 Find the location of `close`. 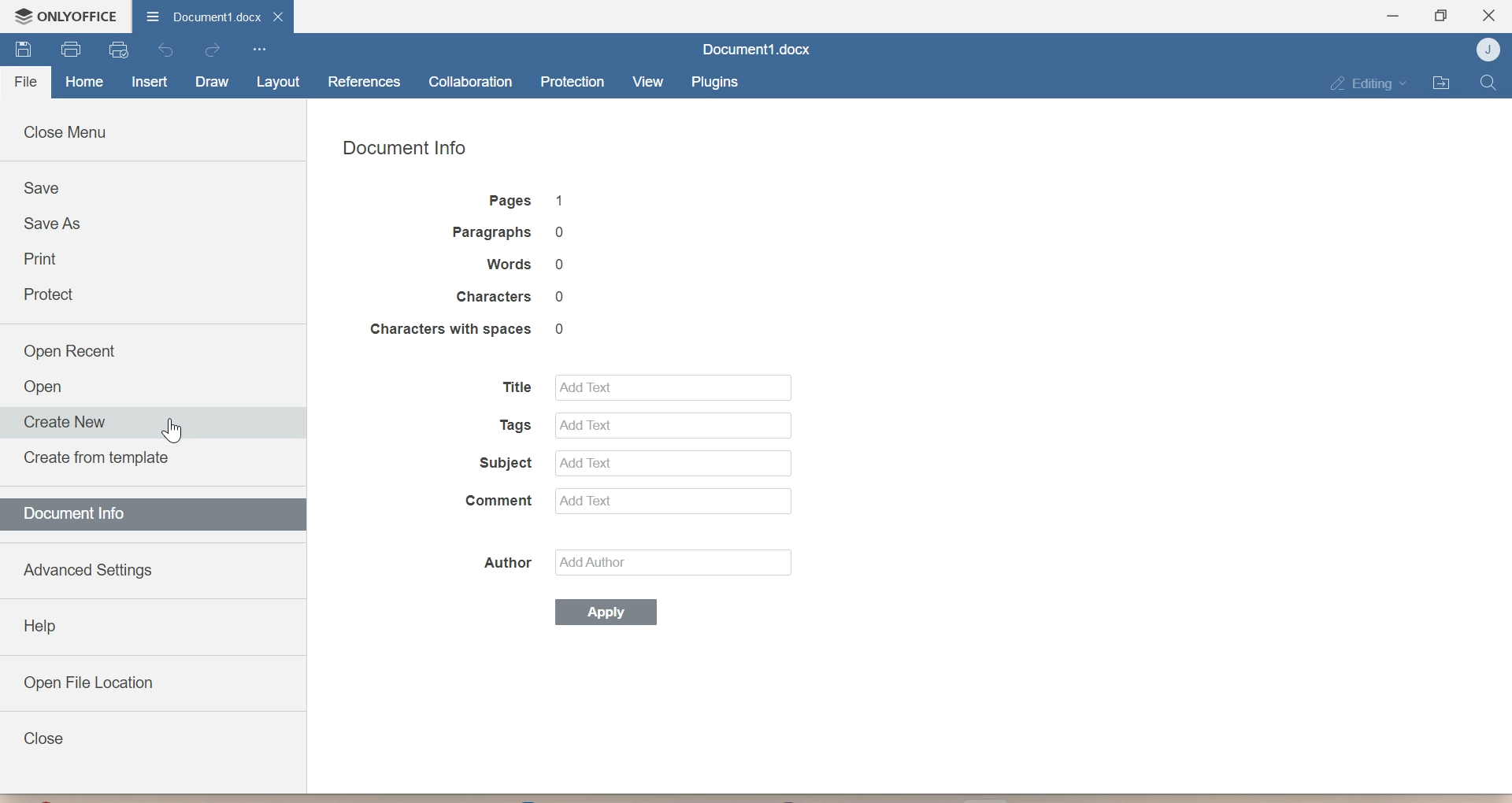

close is located at coordinates (281, 16).